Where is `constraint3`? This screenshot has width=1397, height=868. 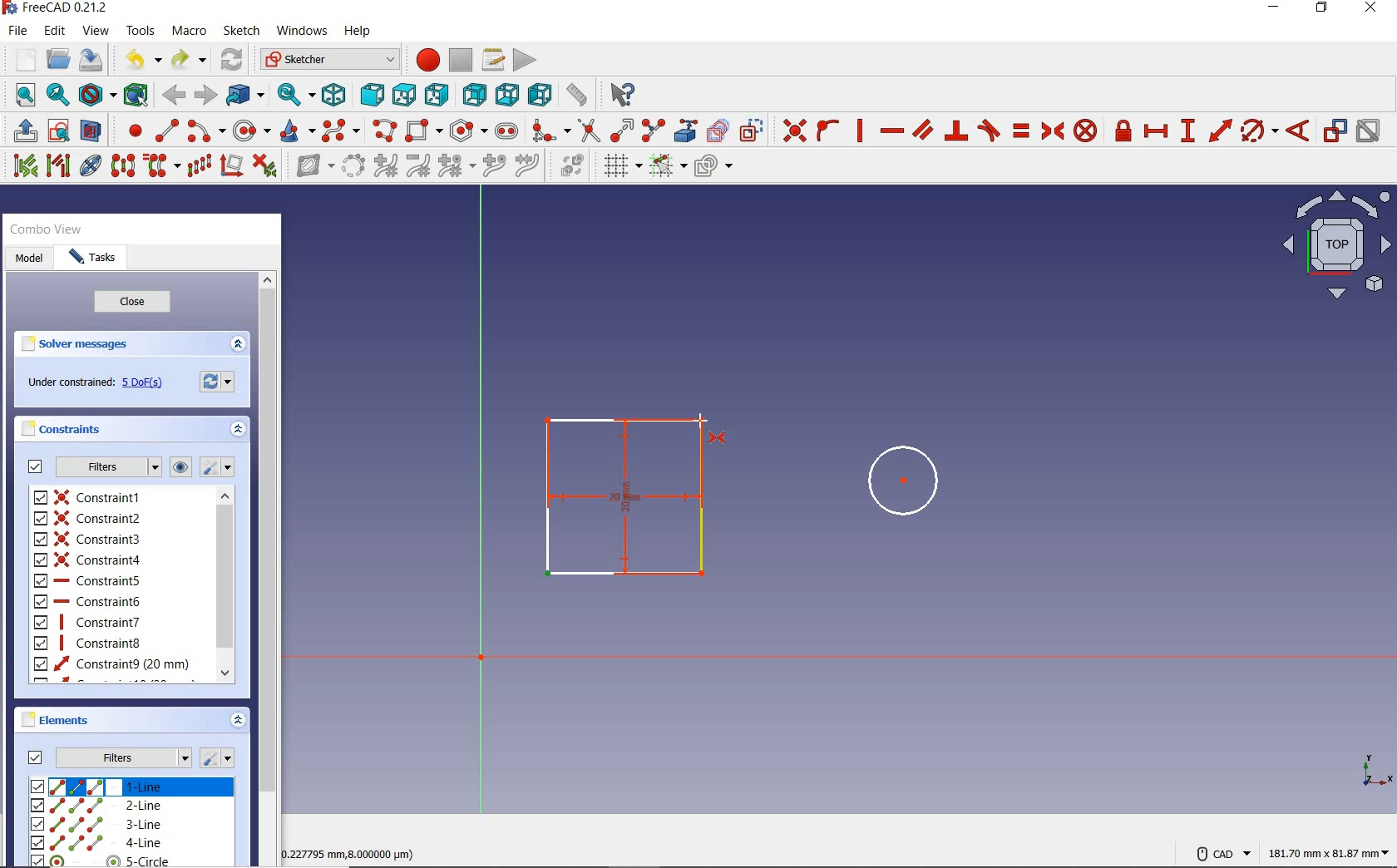 constraint3 is located at coordinates (88, 539).